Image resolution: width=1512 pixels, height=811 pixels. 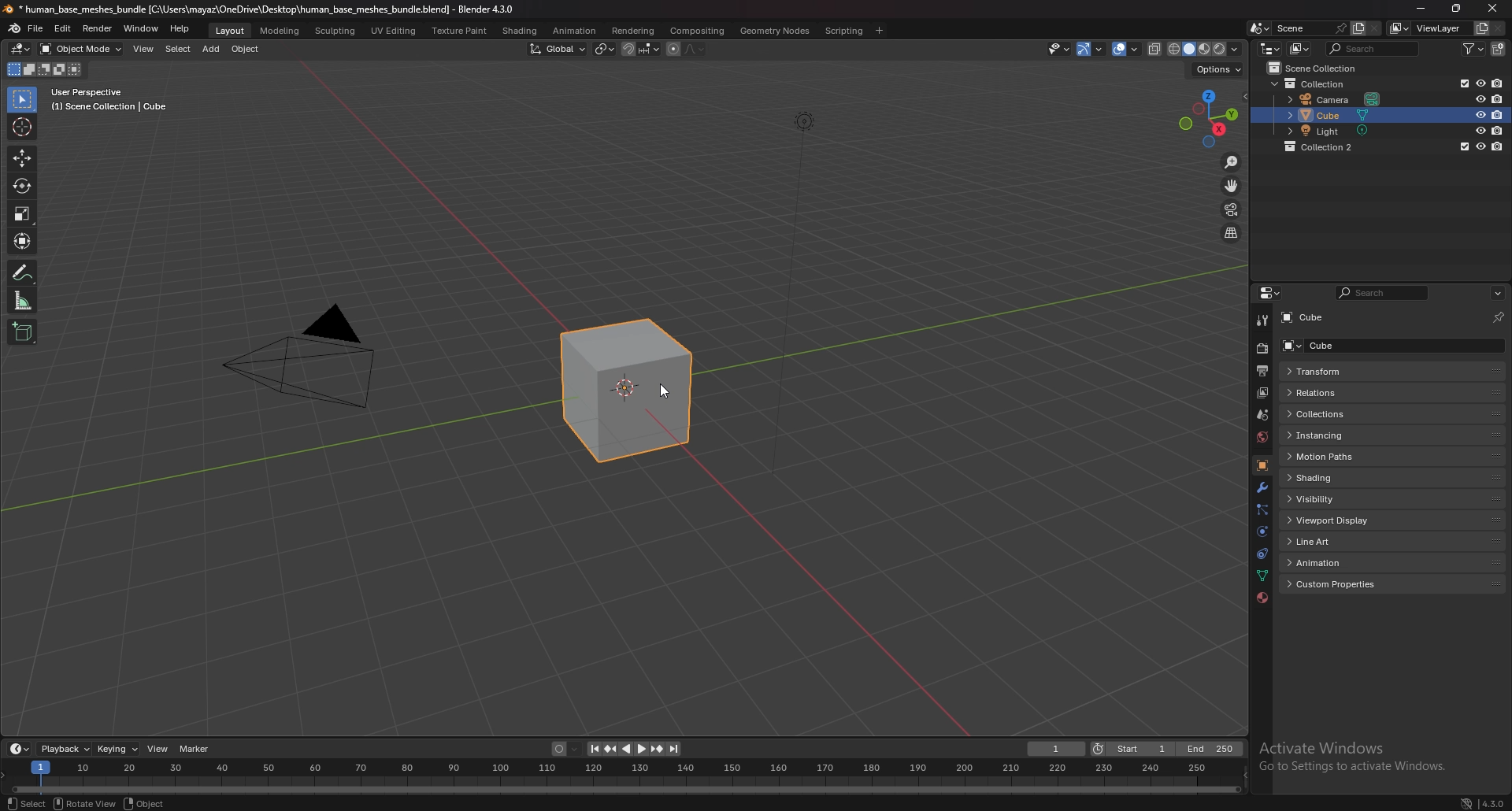 I want to click on render, so click(x=98, y=28).